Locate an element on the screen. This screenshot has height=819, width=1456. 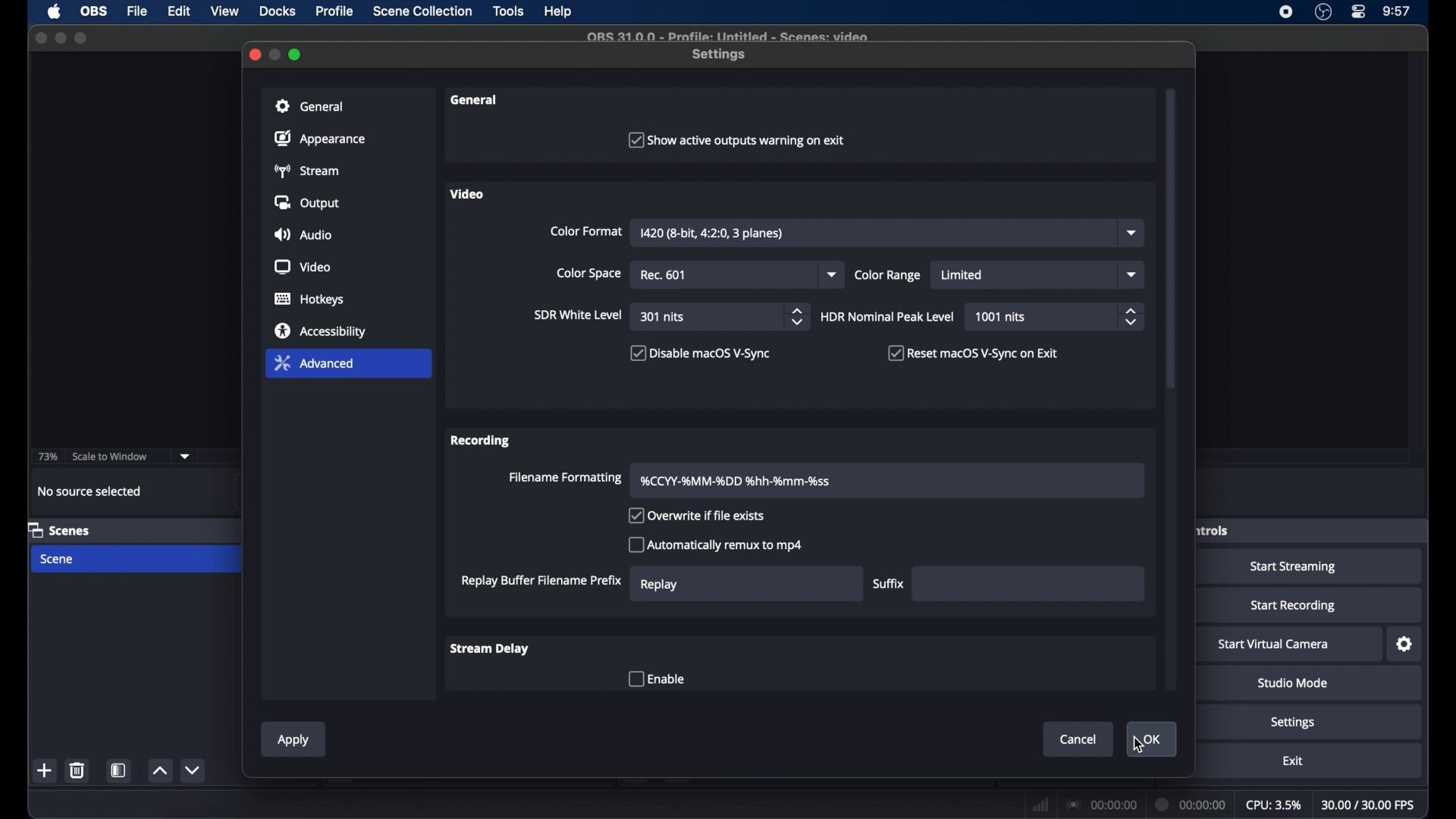
checkbox is located at coordinates (701, 353).